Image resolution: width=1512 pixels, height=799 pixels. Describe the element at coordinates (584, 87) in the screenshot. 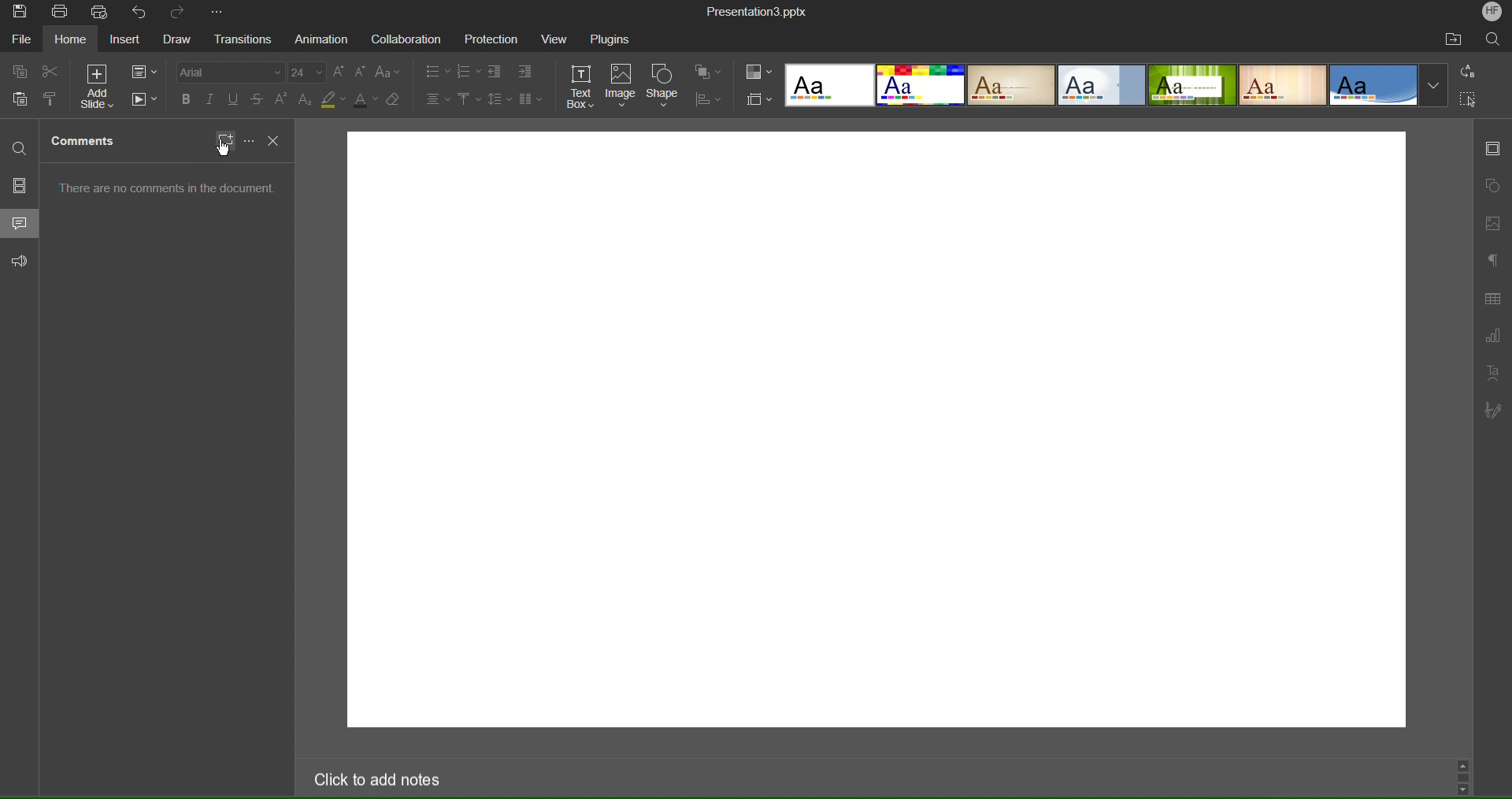

I see `Text Box` at that location.